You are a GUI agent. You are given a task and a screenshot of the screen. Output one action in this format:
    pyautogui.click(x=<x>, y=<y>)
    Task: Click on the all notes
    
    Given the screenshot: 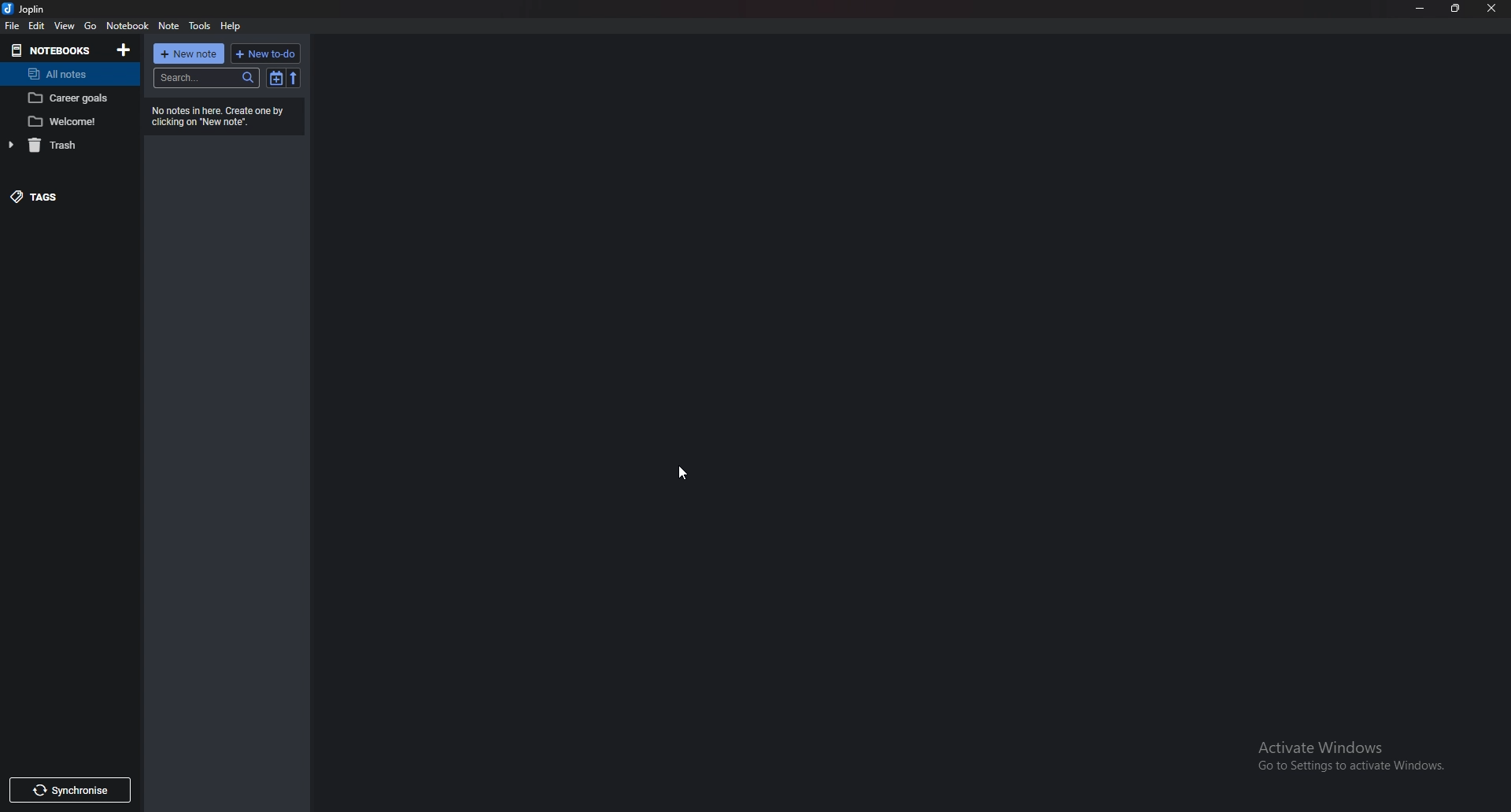 What is the action you would take?
    pyautogui.click(x=70, y=73)
    